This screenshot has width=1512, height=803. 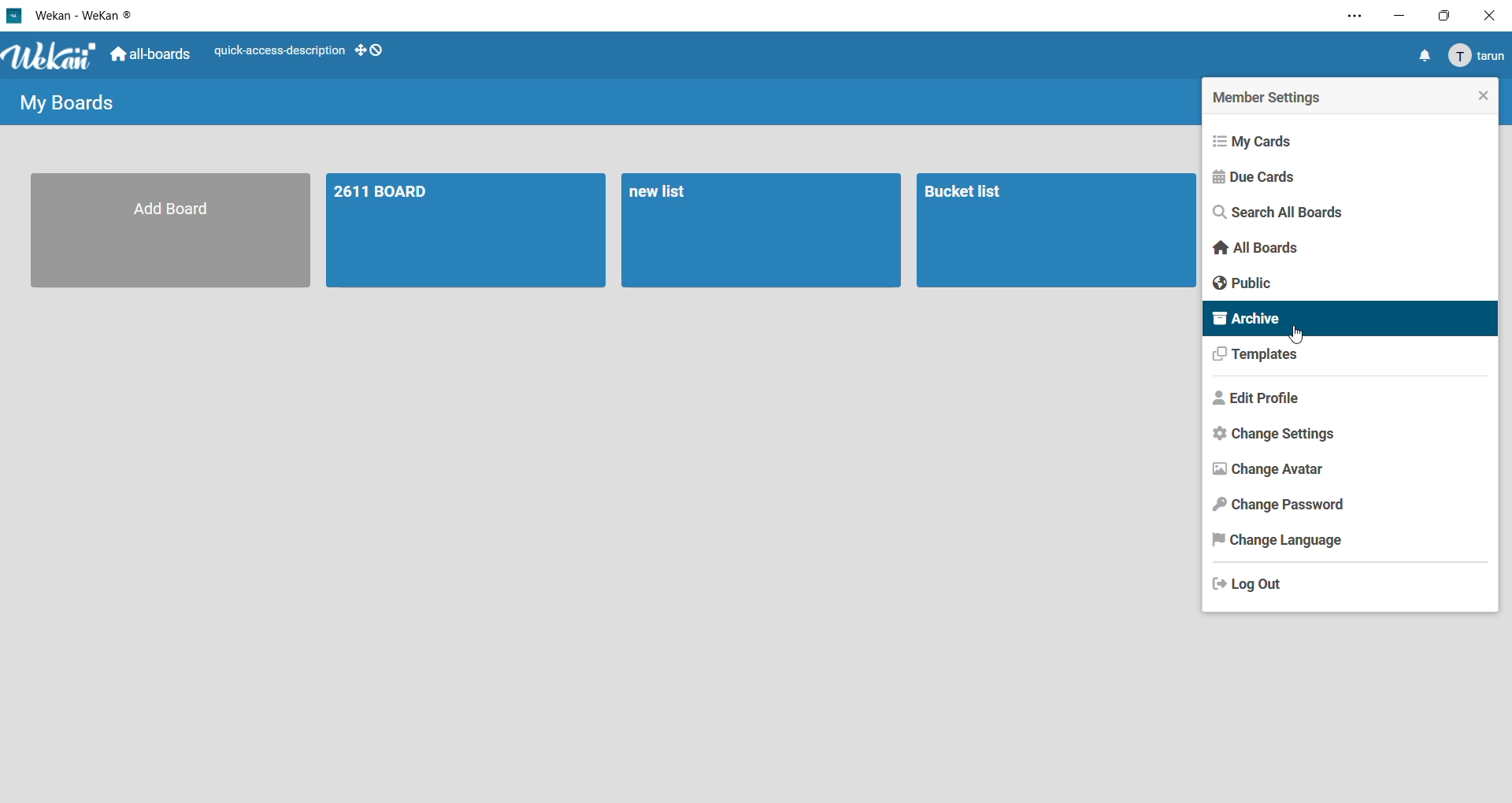 What do you see at coordinates (1441, 18) in the screenshot?
I see `maximize` at bounding box center [1441, 18].